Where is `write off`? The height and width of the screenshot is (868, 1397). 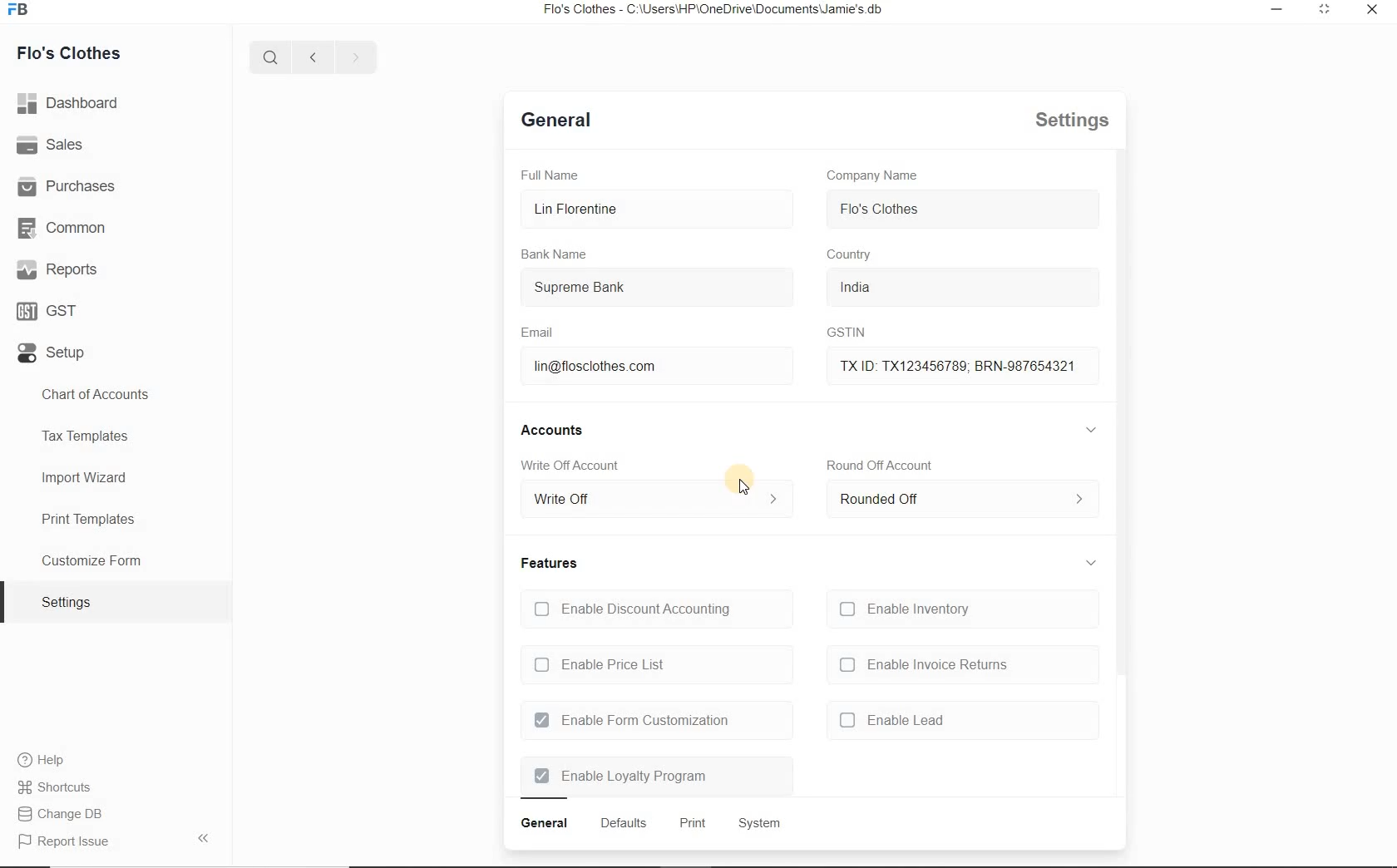 write off is located at coordinates (654, 501).